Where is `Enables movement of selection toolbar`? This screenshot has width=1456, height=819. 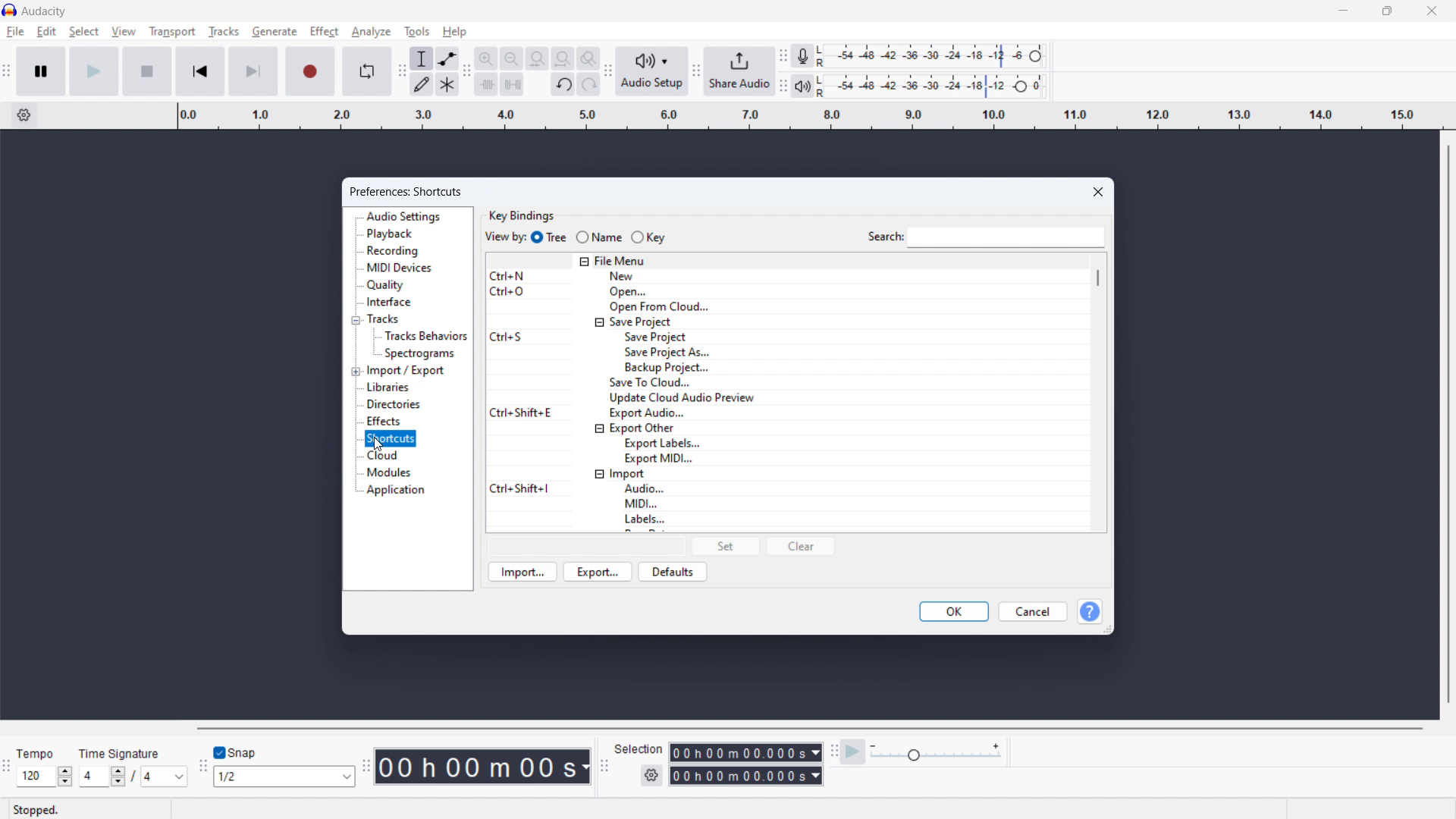 Enables movement of selection toolbar is located at coordinates (604, 767).